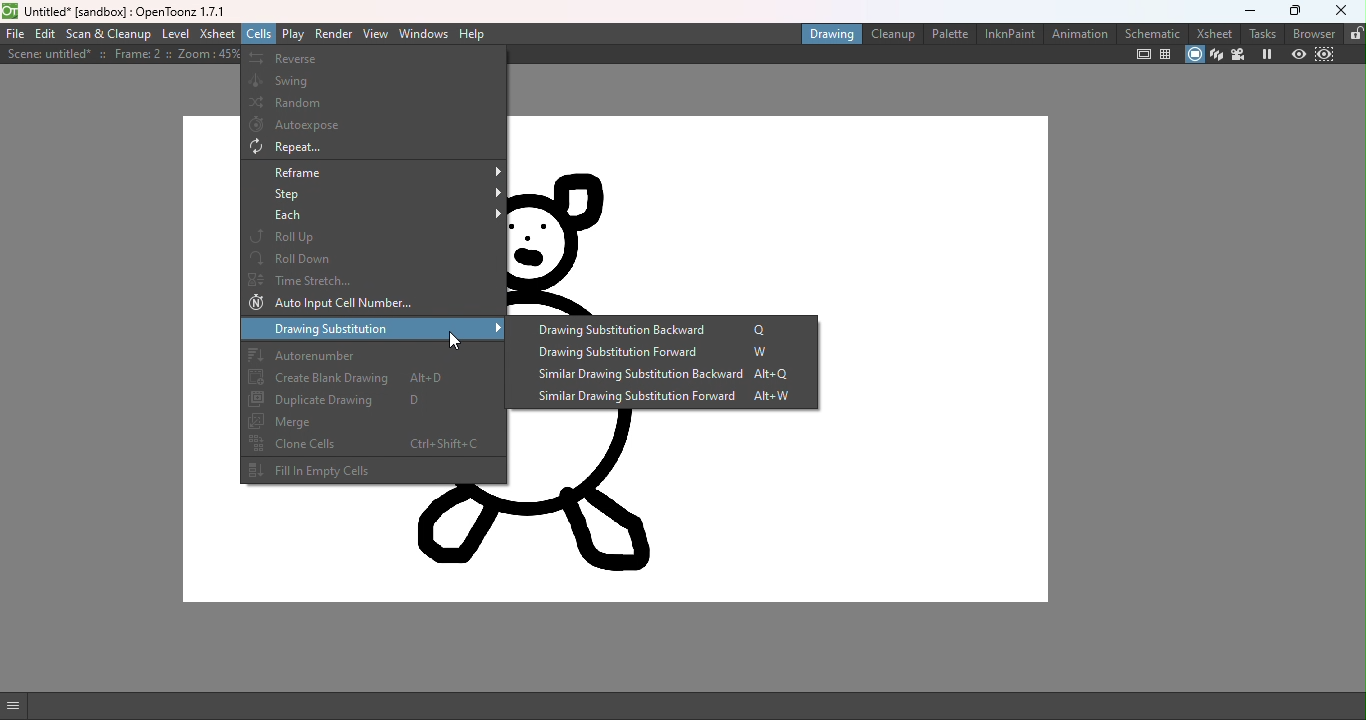  Describe the element at coordinates (372, 443) in the screenshot. I see `Clone cells` at that location.